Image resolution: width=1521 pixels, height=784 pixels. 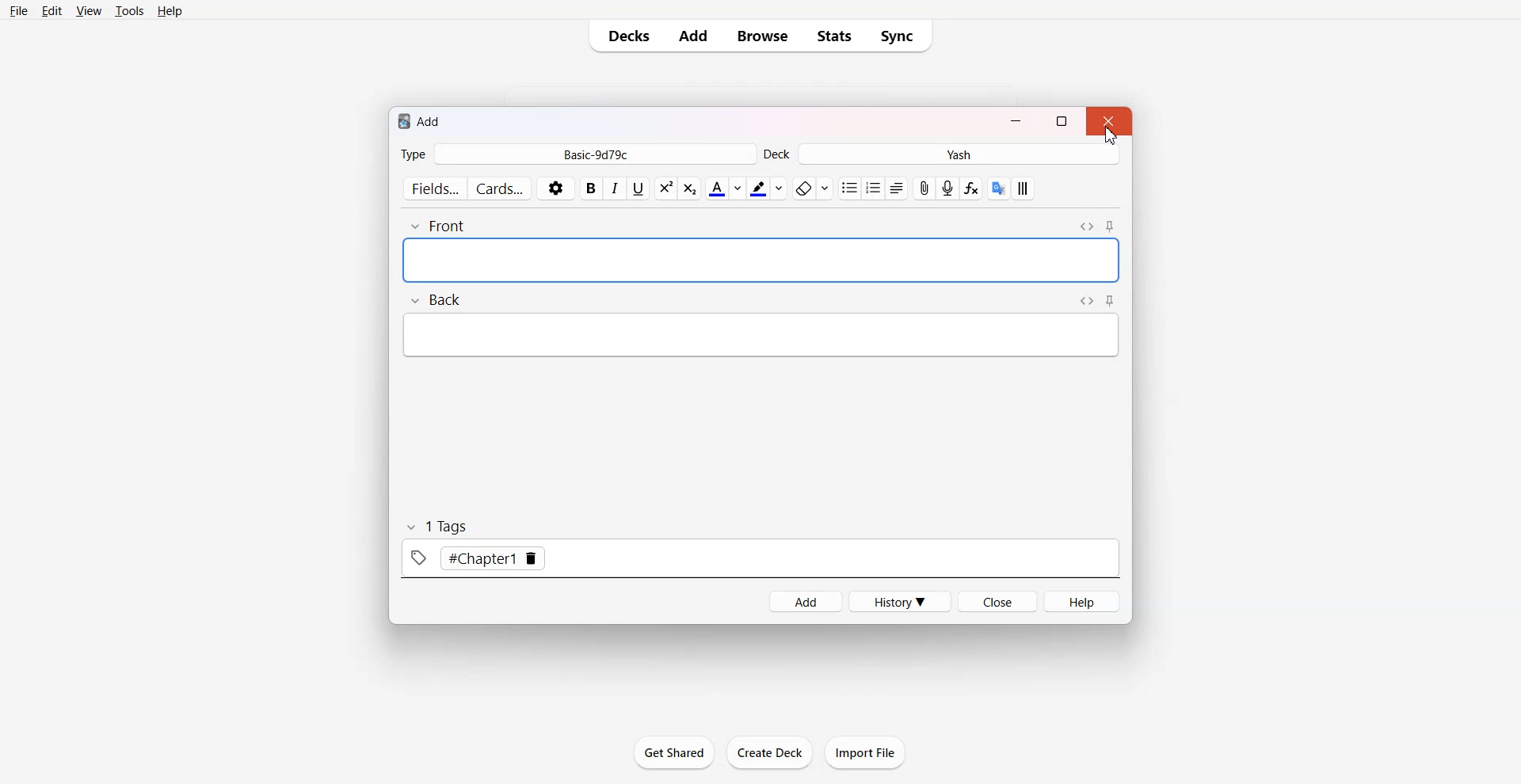 What do you see at coordinates (89, 12) in the screenshot?
I see `View` at bounding box center [89, 12].